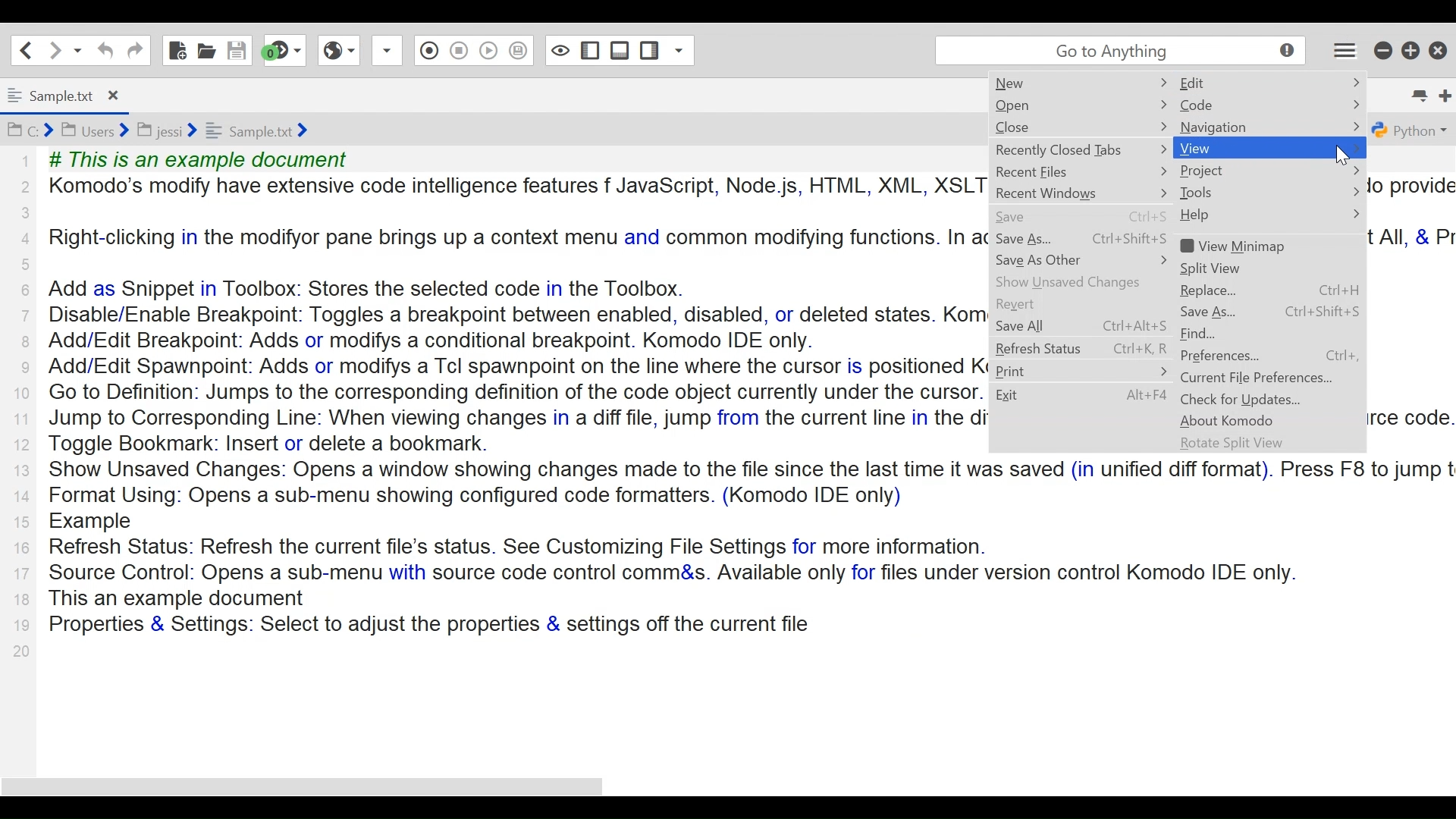 This screenshot has height=819, width=1456. What do you see at coordinates (1276, 356) in the screenshot?
I see `Preferences... Ctrl+,` at bounding box center [1276, 356].